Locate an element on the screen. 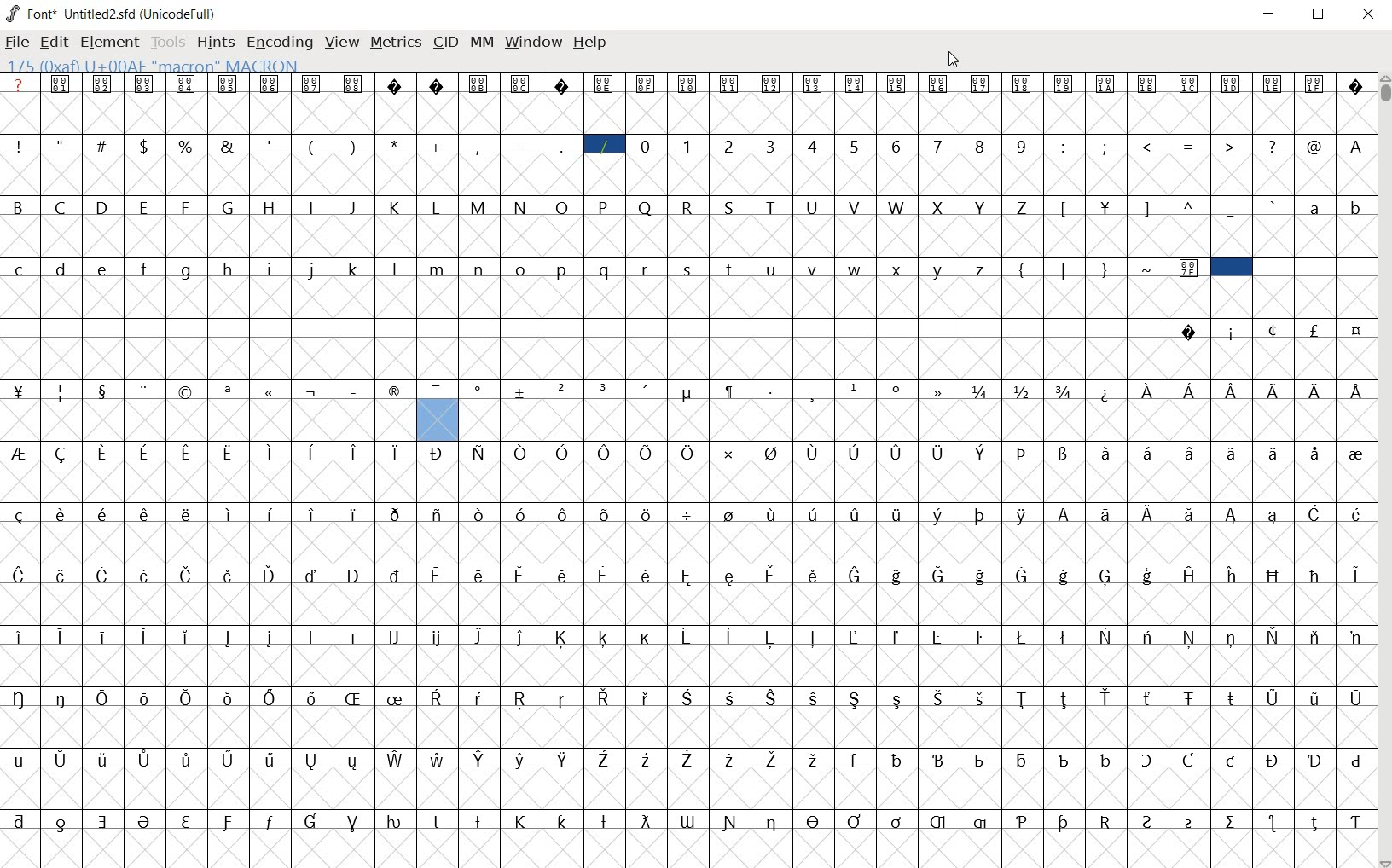 This screenshot has width=1392, height=868. J is located at coordinates (354, 207).